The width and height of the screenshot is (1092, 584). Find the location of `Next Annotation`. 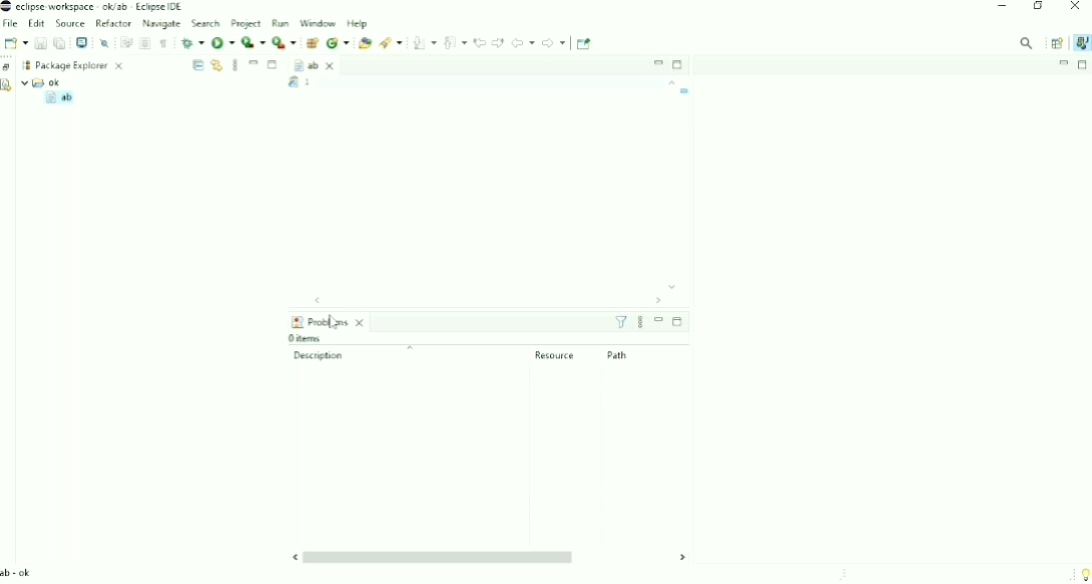

Next Annotation is located at coordinates (424, 43).